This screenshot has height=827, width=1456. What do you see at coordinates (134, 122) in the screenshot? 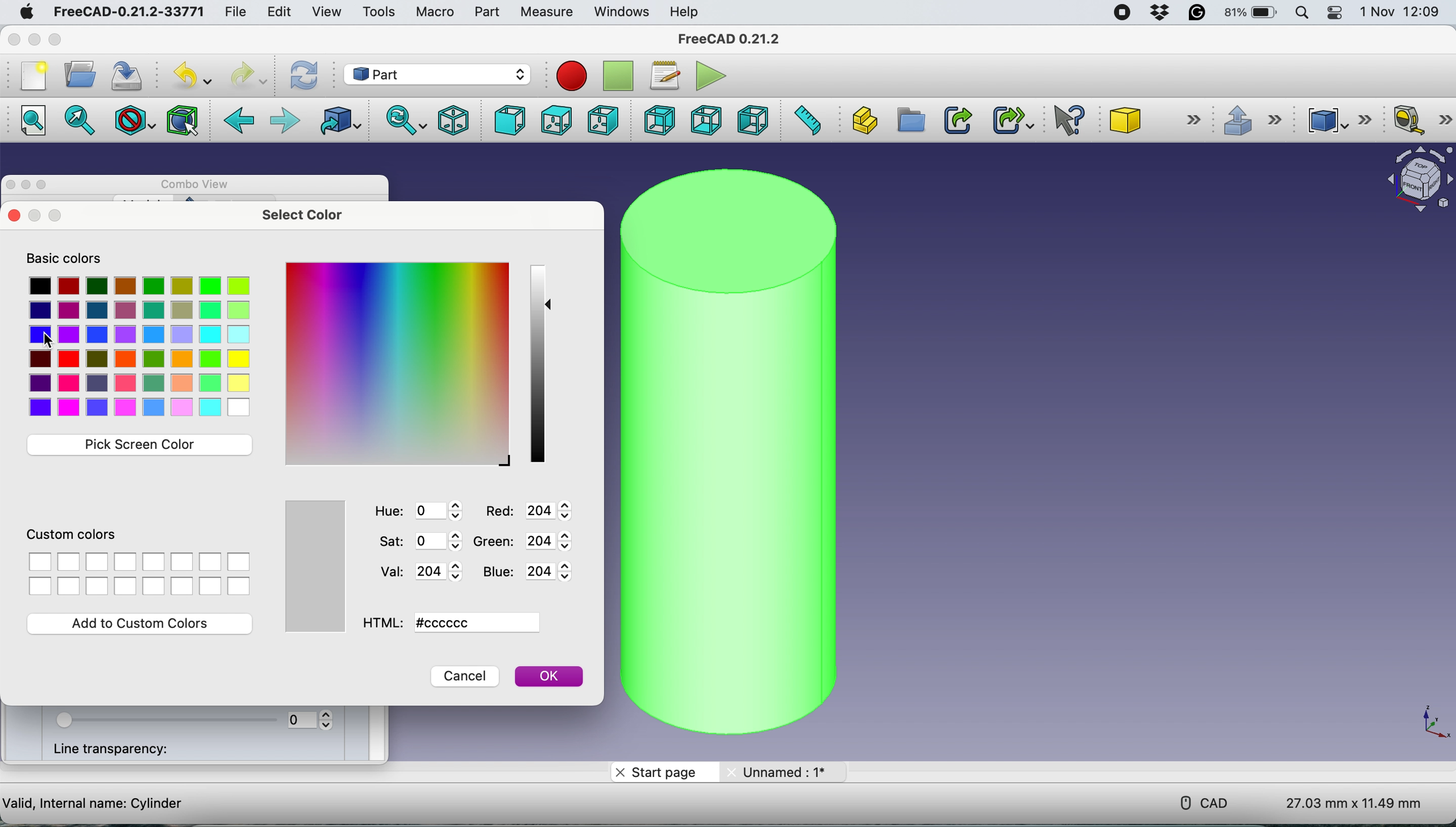
I see `draw style` at bounding box center [134, 122].